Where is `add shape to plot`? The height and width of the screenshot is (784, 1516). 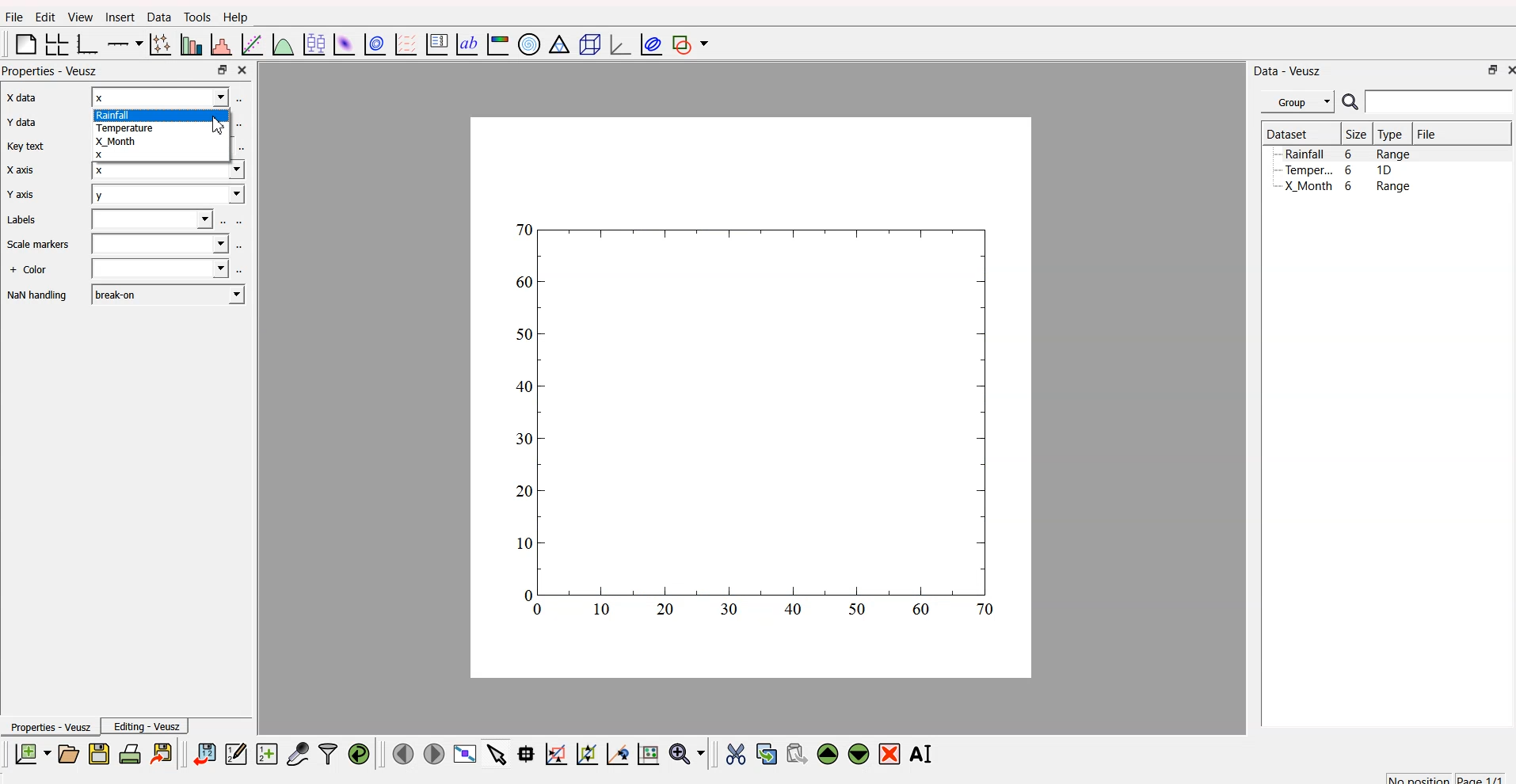 add shape to plot is located at coordinates (693, 45).